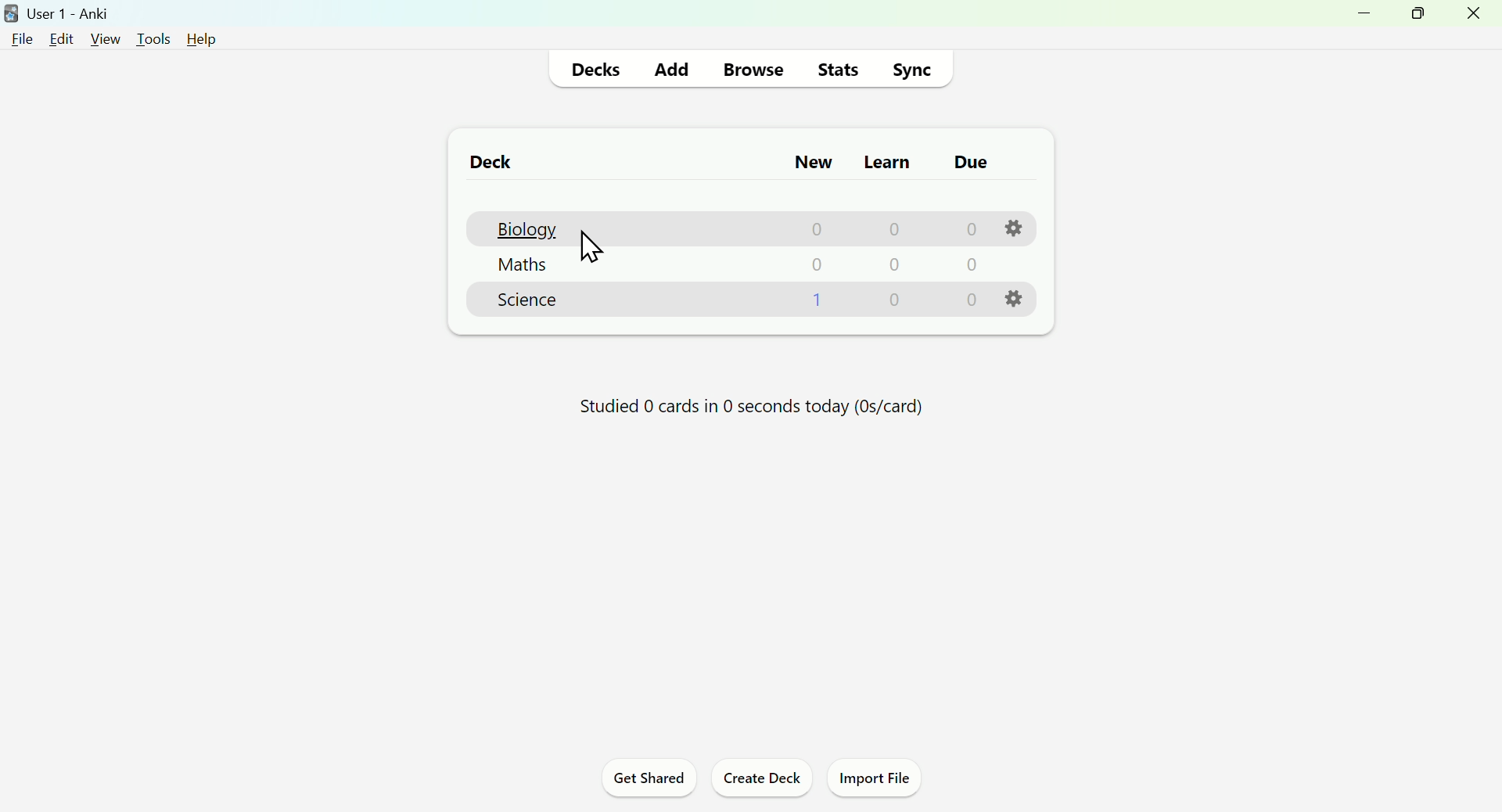 This screenshot has width=1502, height=812. Describe the element at coordinates (968, 266) in the screenshot. I see `0` at that location.